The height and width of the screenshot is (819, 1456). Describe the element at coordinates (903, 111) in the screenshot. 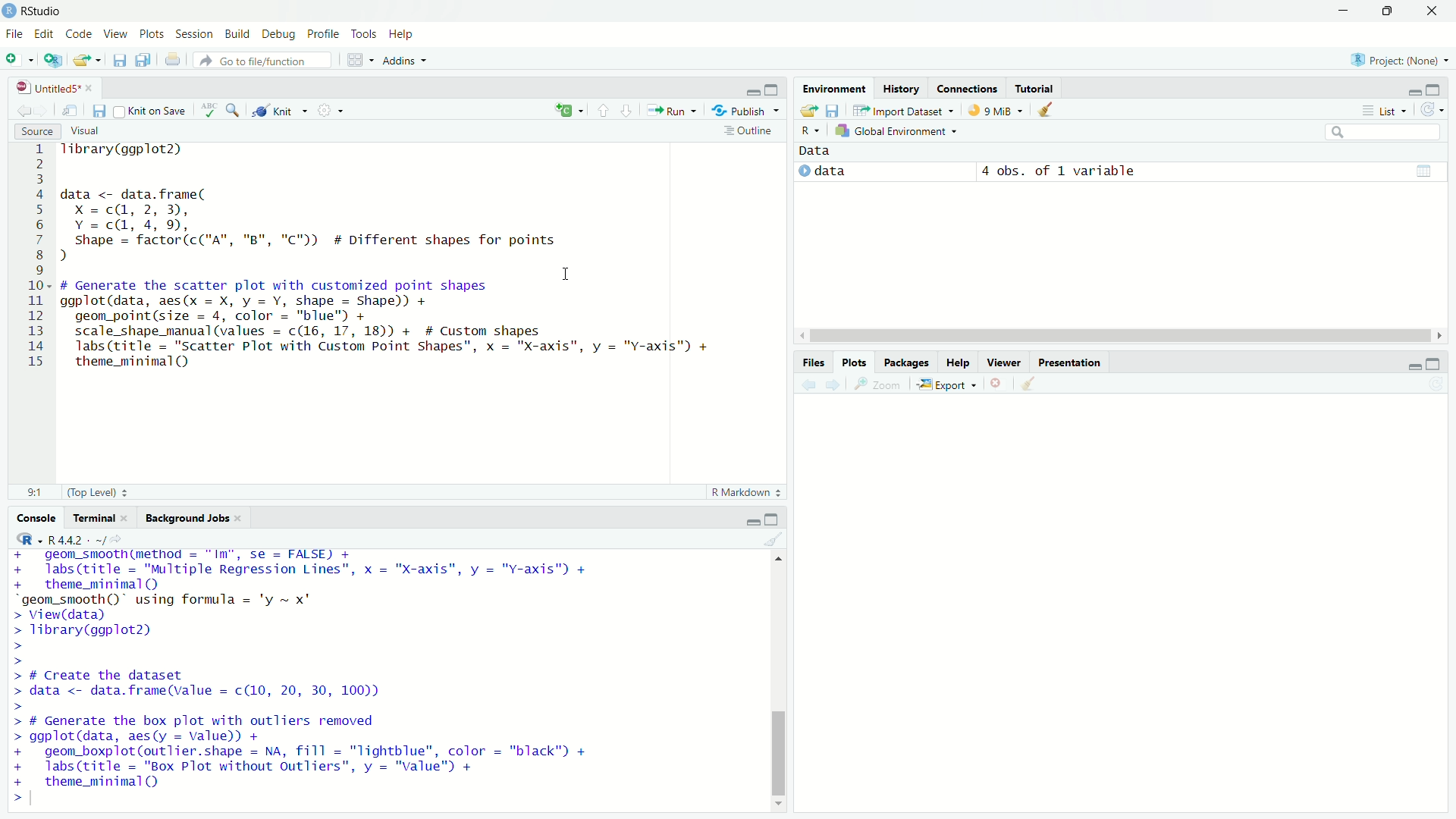

I see `Import Dataset` at that location.